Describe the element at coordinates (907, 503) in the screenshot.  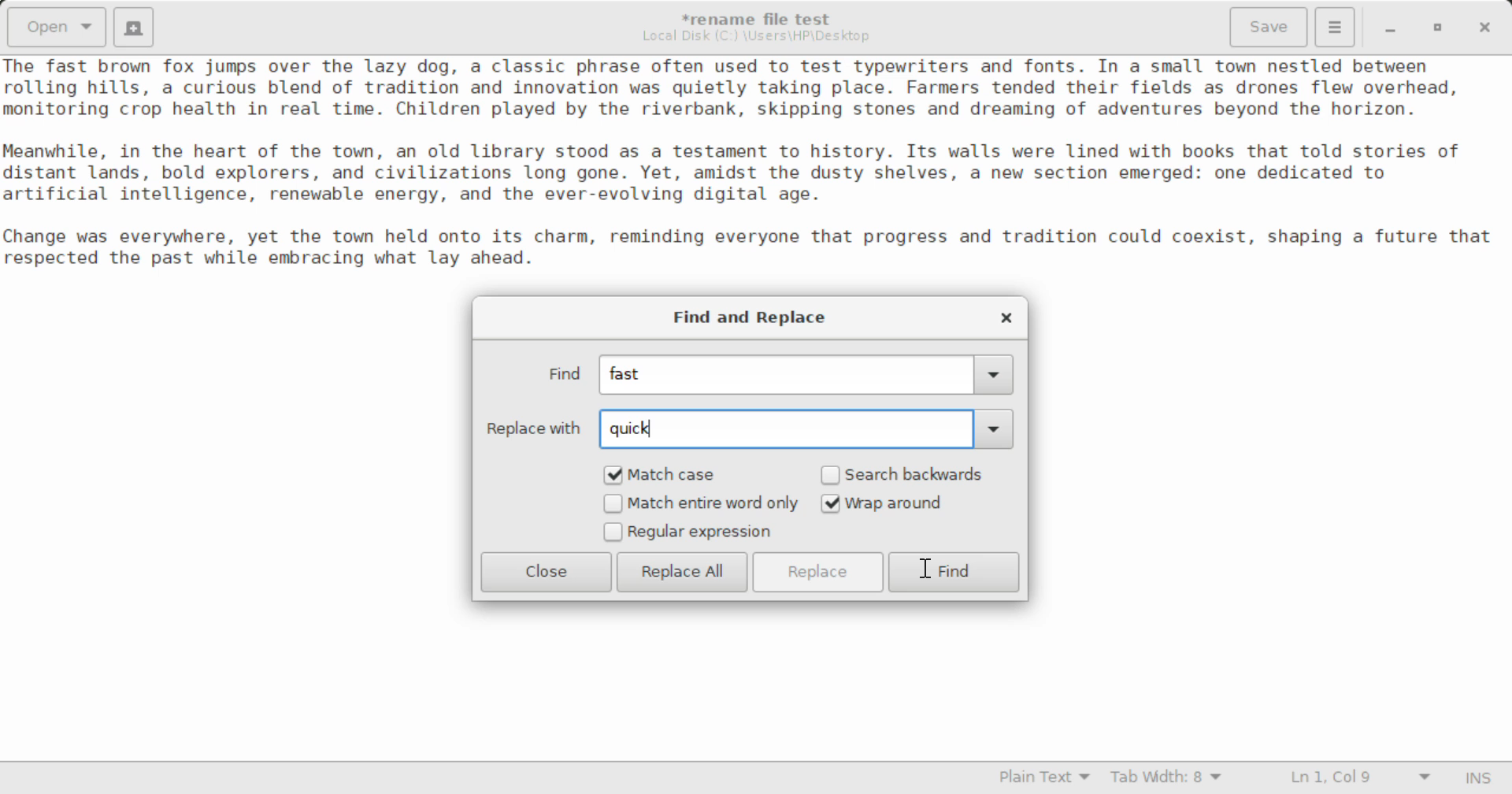
I see `Wrap around` at that location.